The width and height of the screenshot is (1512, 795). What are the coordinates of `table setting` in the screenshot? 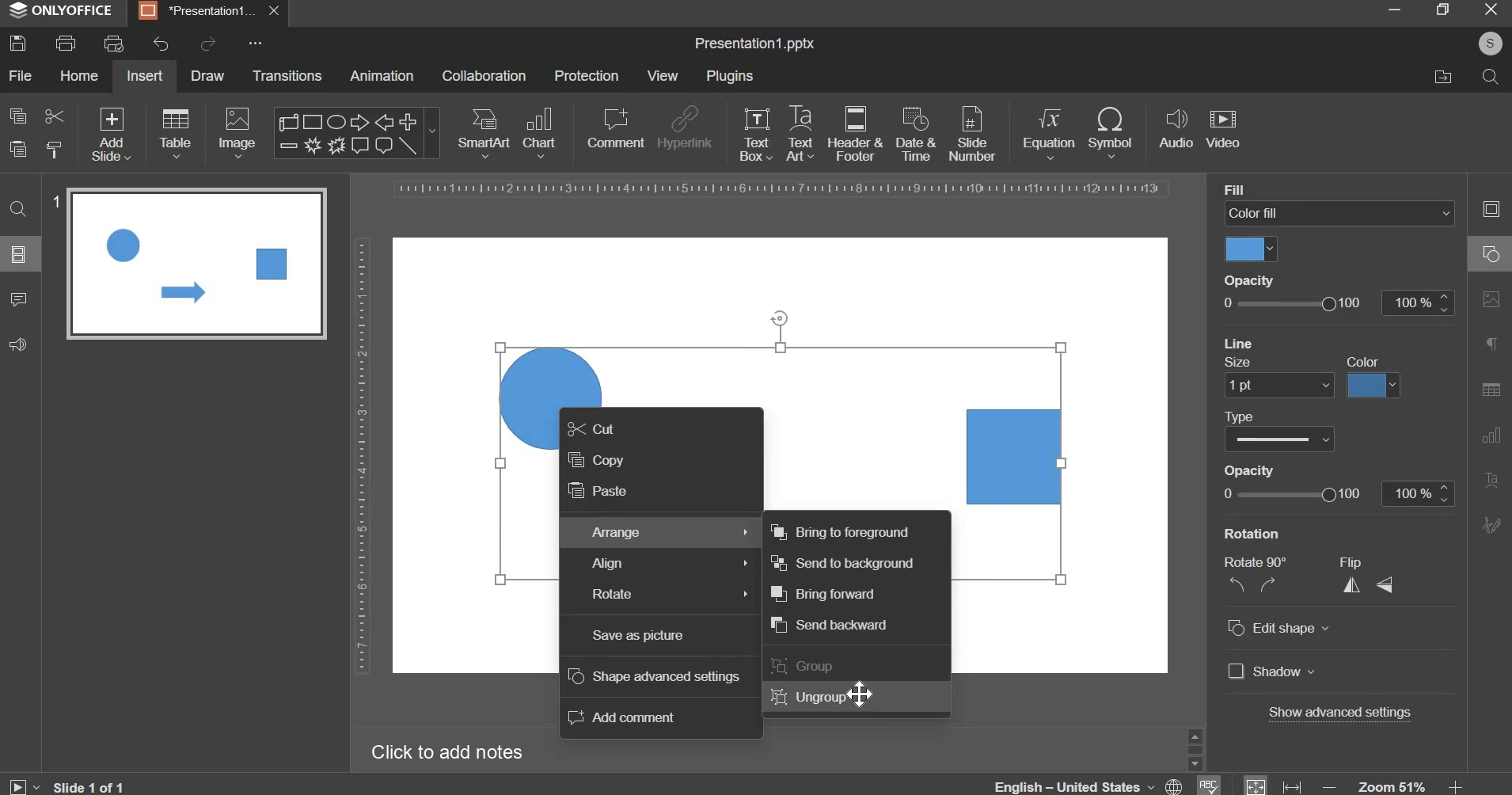 It's located at (1491, 389).